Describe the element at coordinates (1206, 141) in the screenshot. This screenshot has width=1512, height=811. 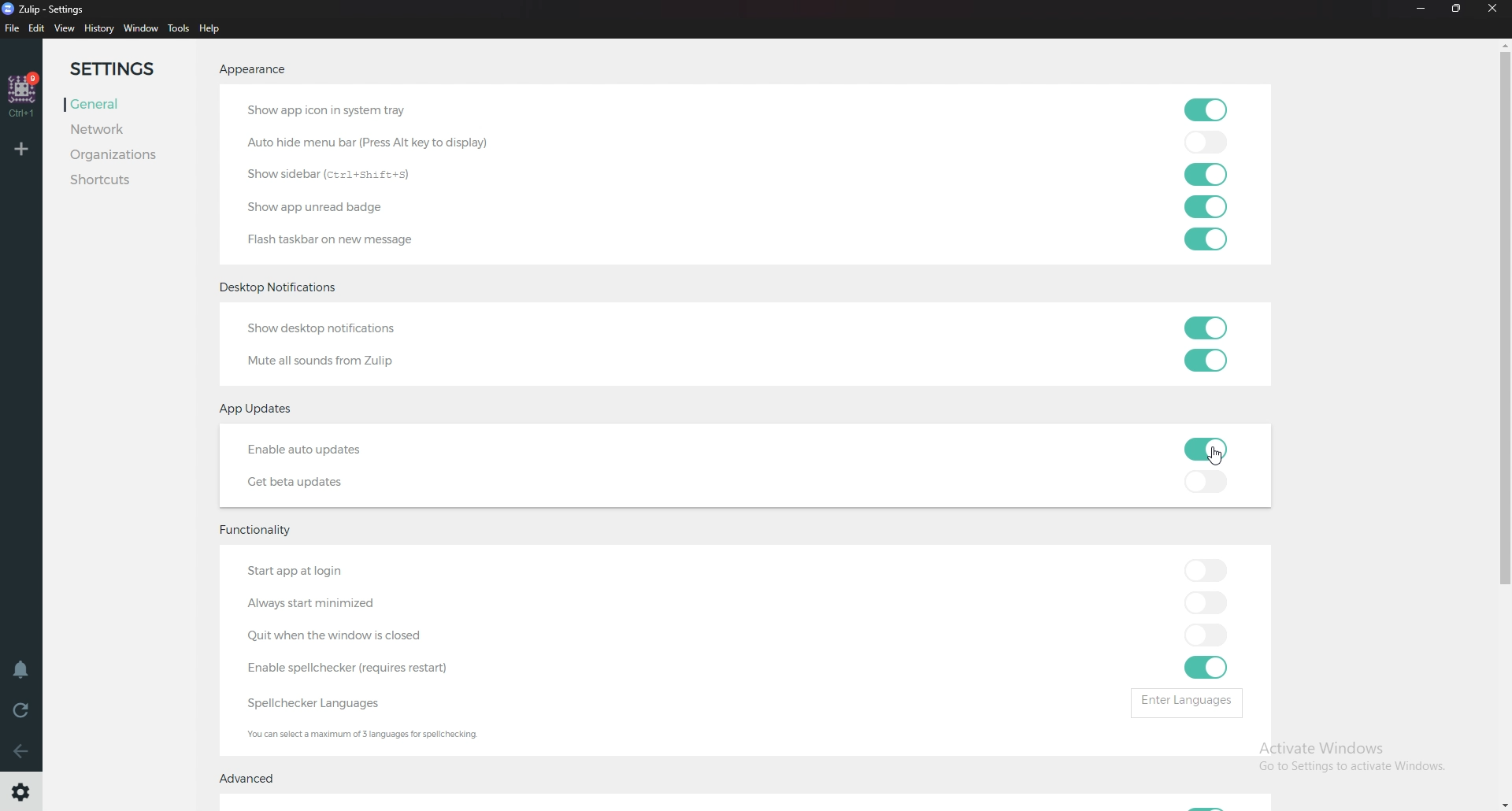
I see `toggle` at that location.